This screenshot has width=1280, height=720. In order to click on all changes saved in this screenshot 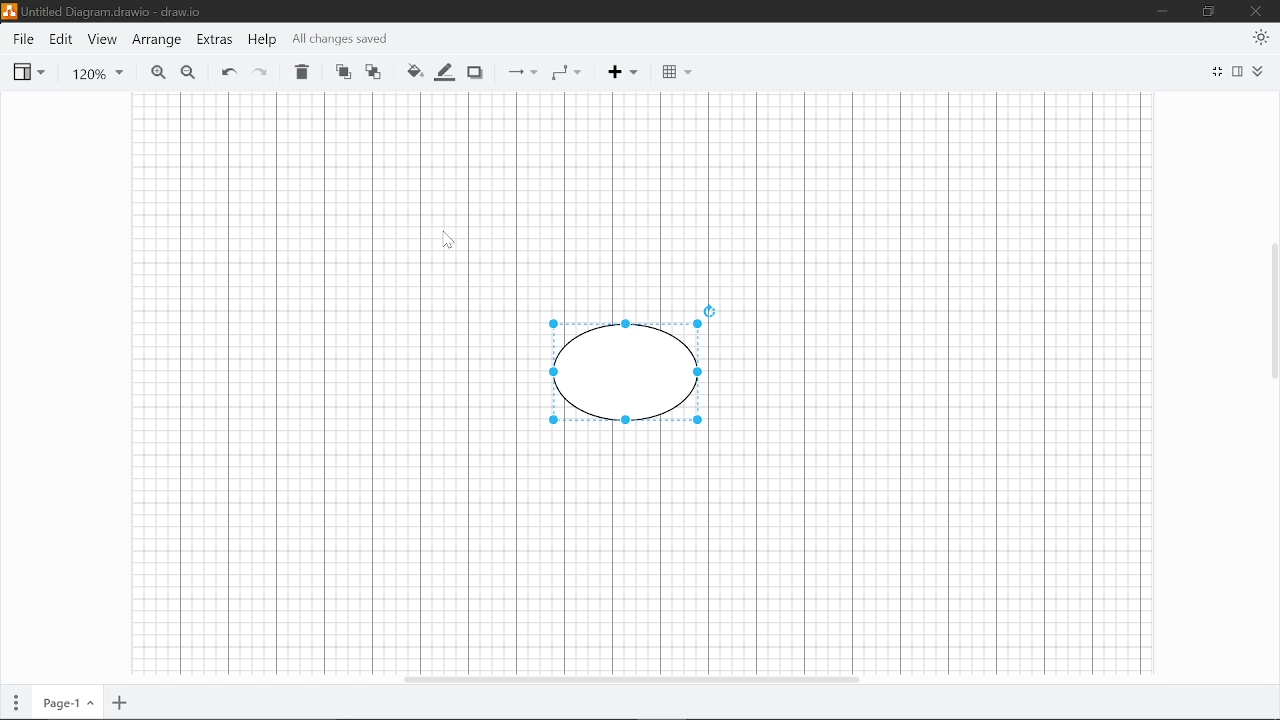, I will do `click(341, 40)`.